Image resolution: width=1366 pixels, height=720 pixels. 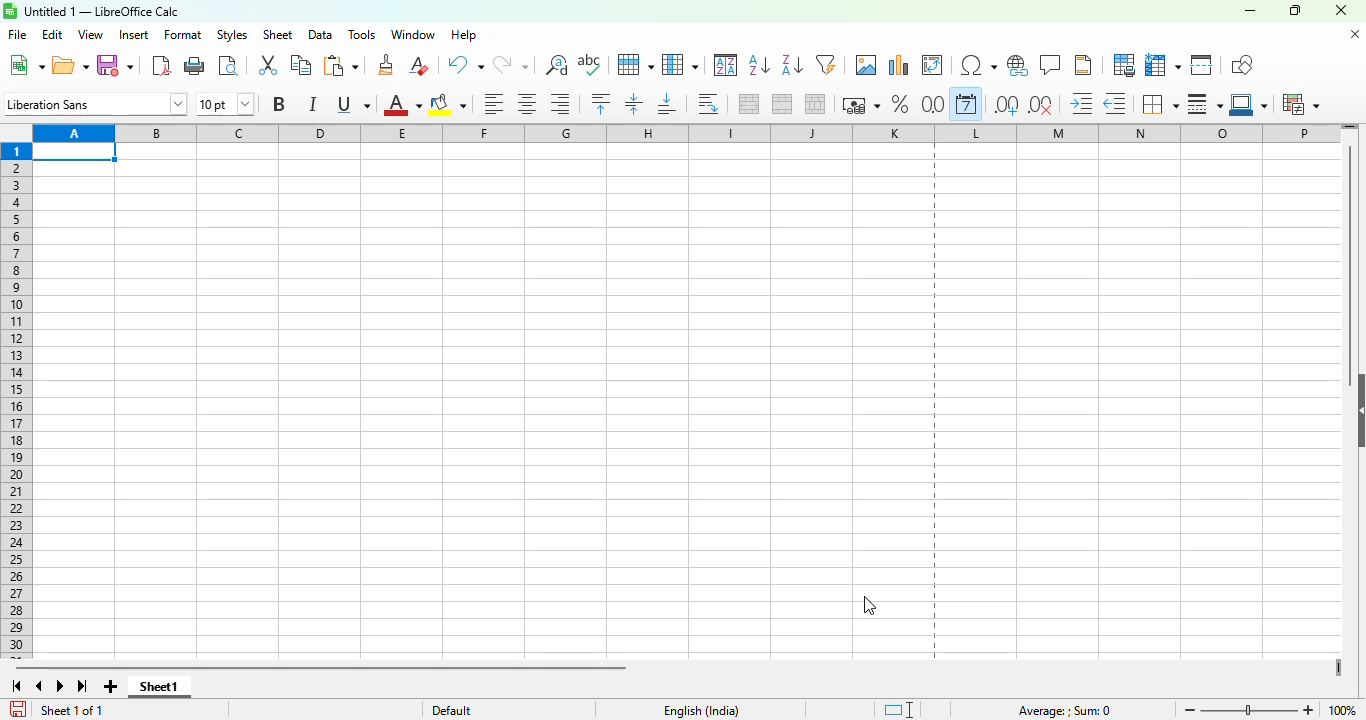 What do you see at coordinates (979, 65) in the screenshot?
I see `insert special characters` at bounding box center [979, 65].